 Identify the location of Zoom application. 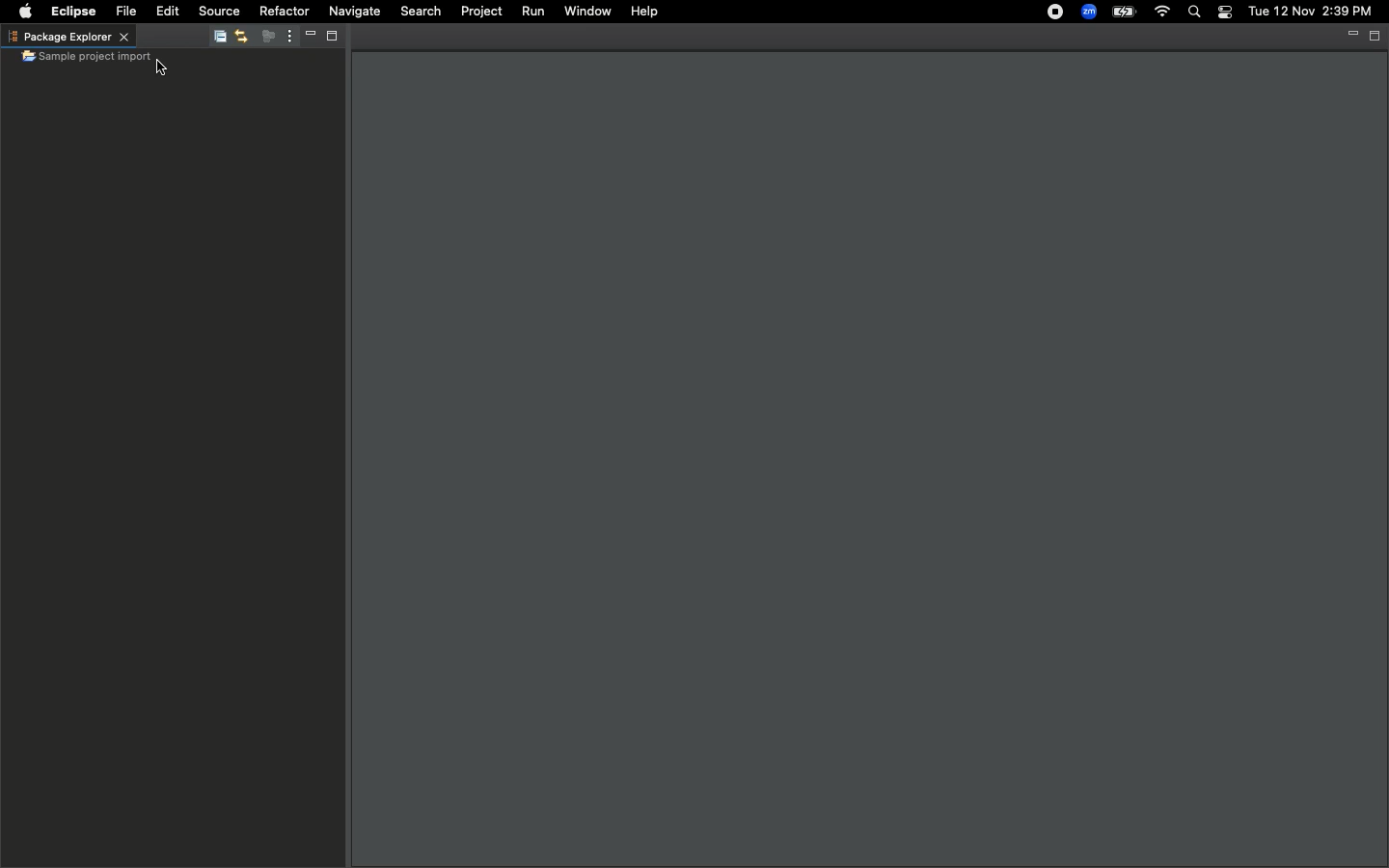
(1092, 16).